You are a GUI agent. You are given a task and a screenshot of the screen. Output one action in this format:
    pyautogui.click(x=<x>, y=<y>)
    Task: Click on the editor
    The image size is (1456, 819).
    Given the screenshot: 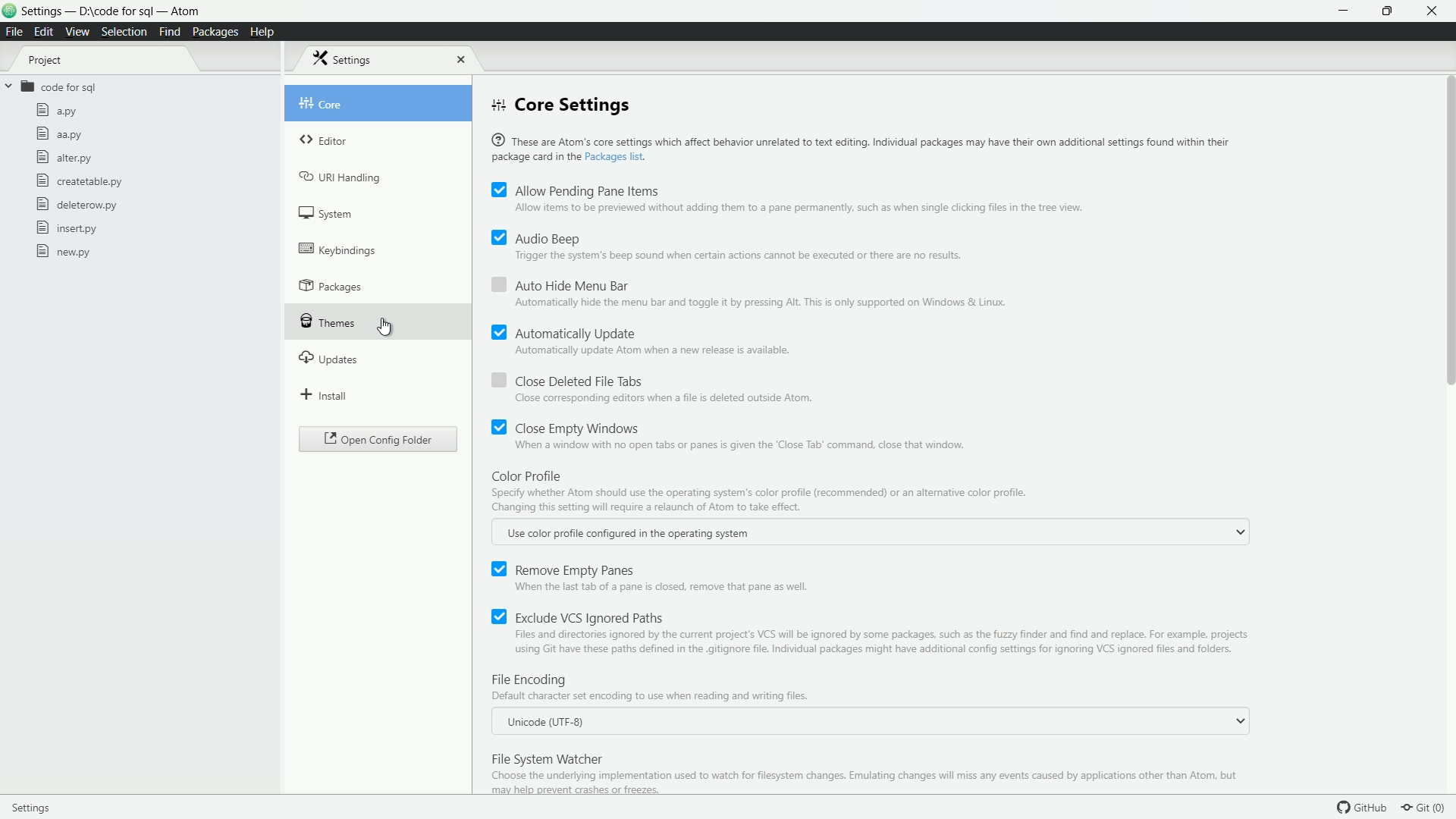 What is the action you would take?
    pyautogui.click(x=325, y=142)
    